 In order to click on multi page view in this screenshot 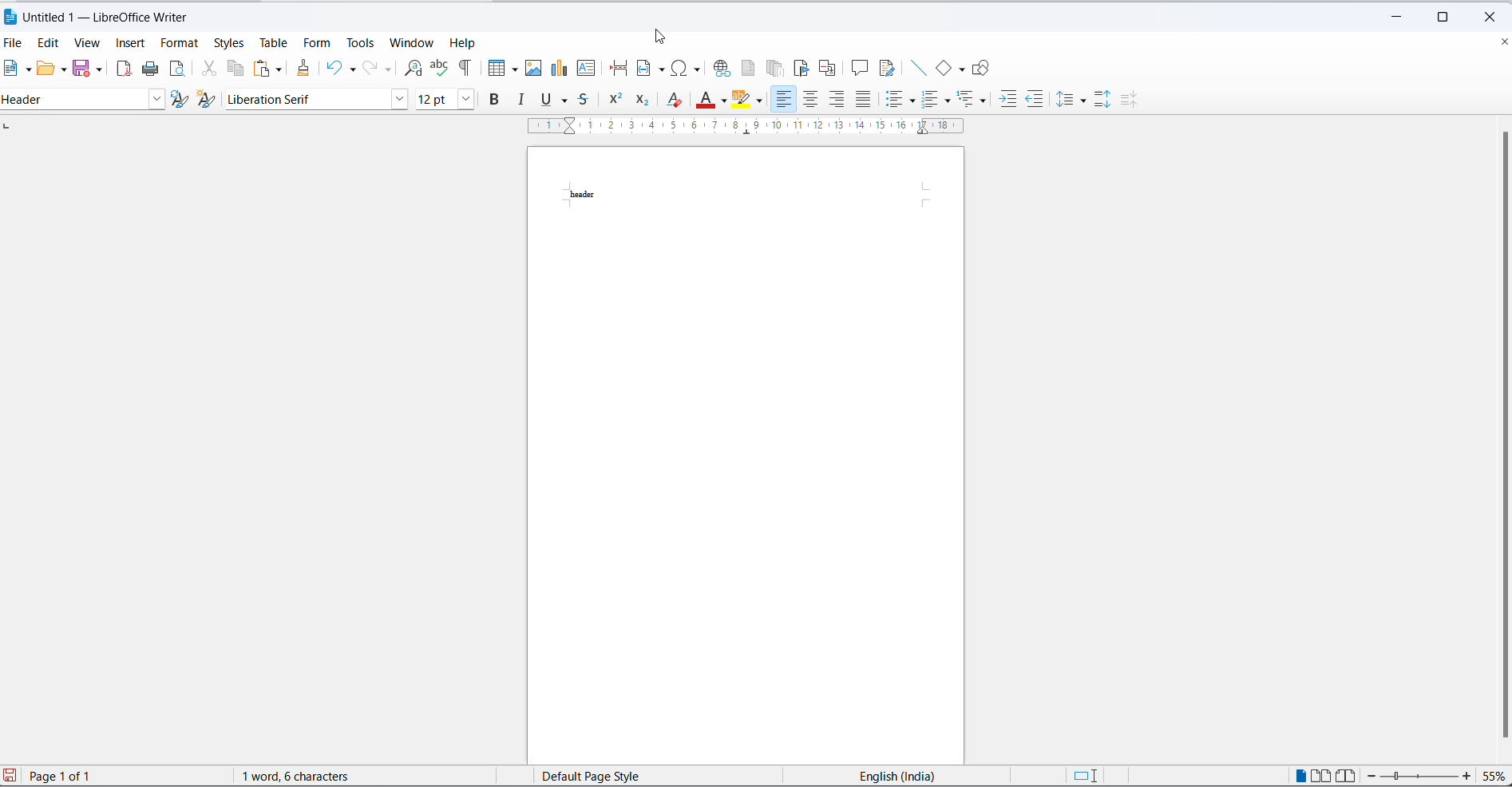, I will do `click(1320, 777)`.